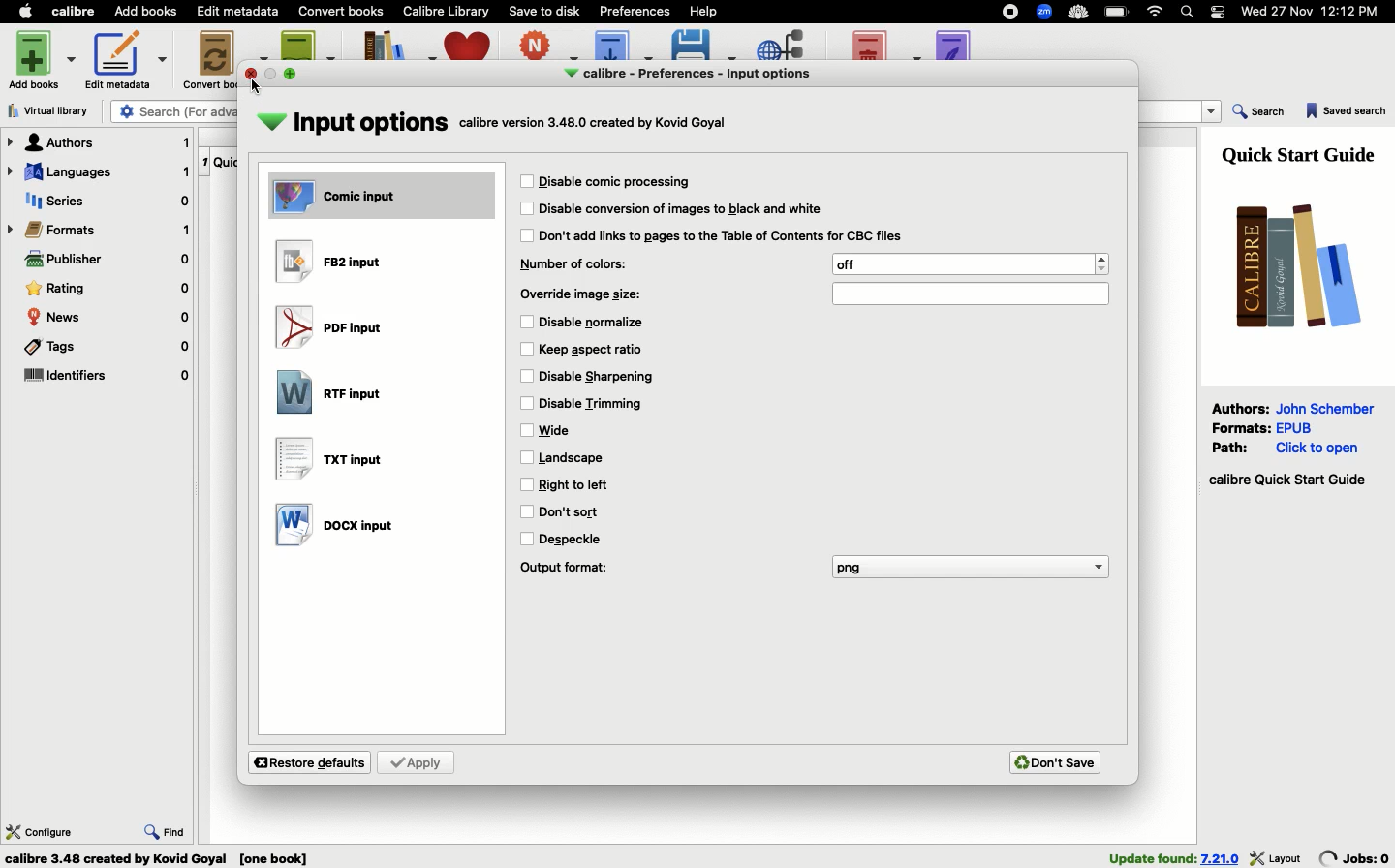 This screenshot has width=1395, height=868. I want to click on Despeckle , so click(573, 538).